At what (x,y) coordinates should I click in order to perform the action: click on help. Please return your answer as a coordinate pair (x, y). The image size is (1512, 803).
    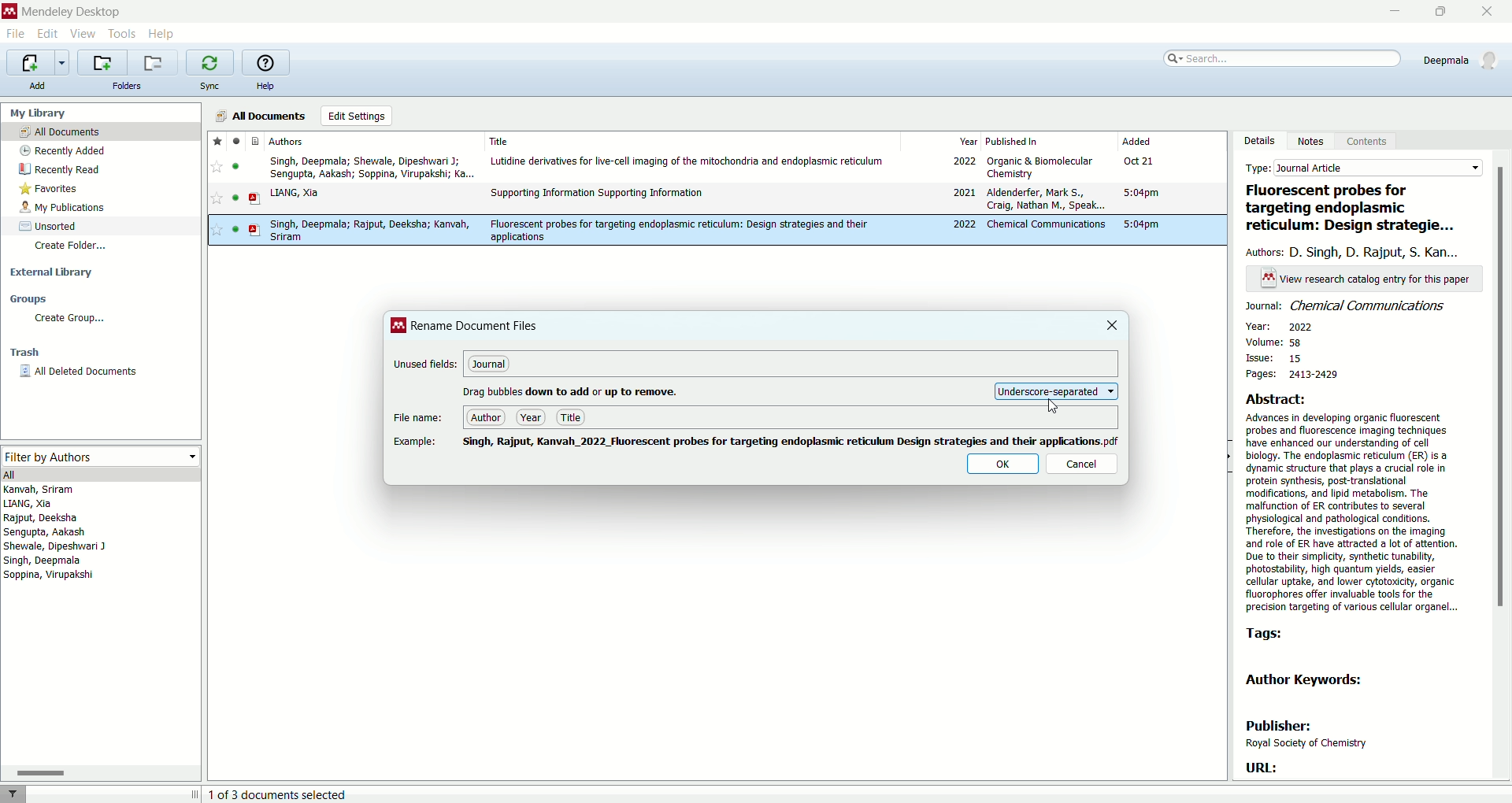
    Looking at the image, I should click on (161, 34).